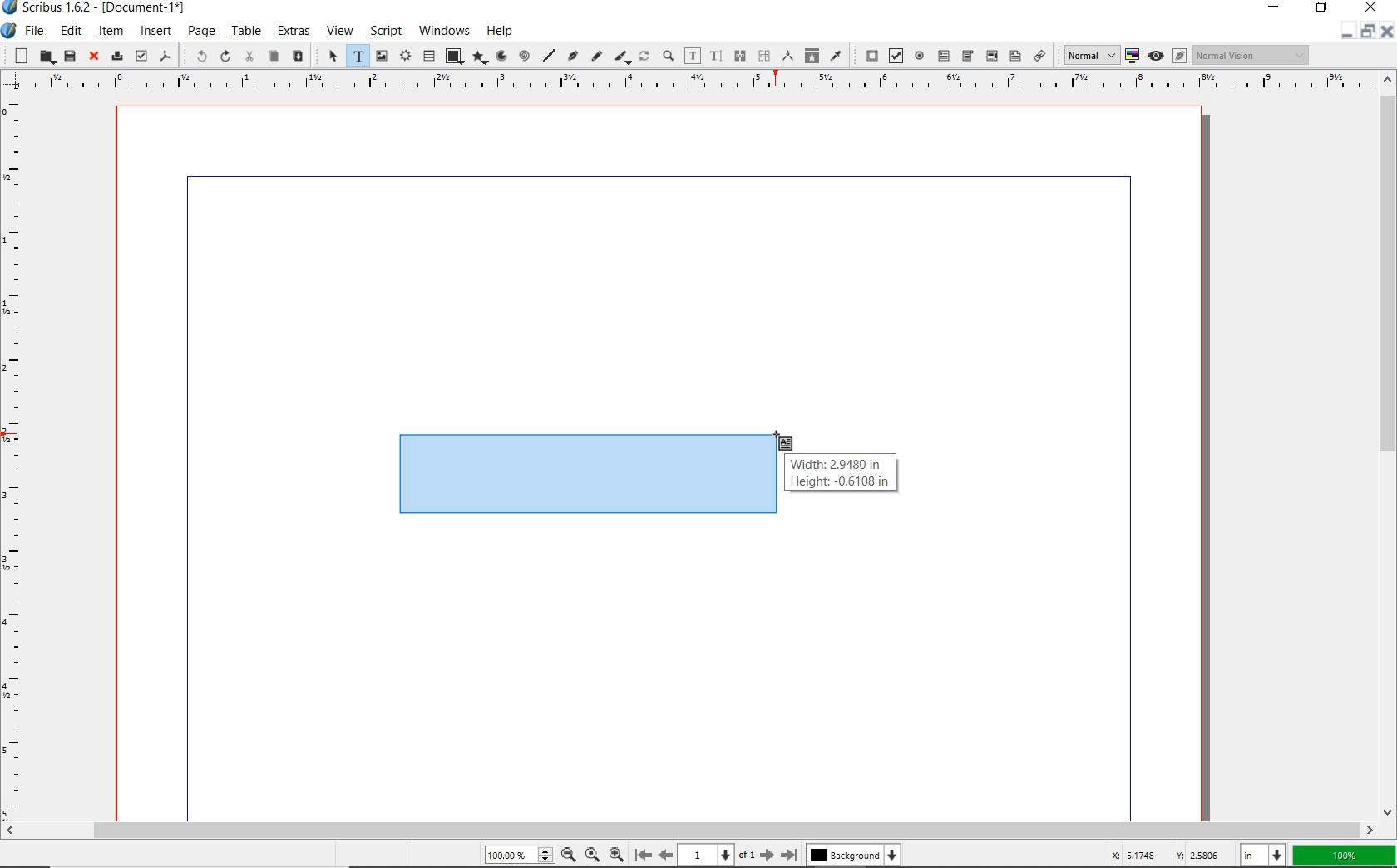 This screenshot has width=1397, height=868. Describe the element at coordinates (868, 56) in the screenshot. I see `pdf push button` at that location.